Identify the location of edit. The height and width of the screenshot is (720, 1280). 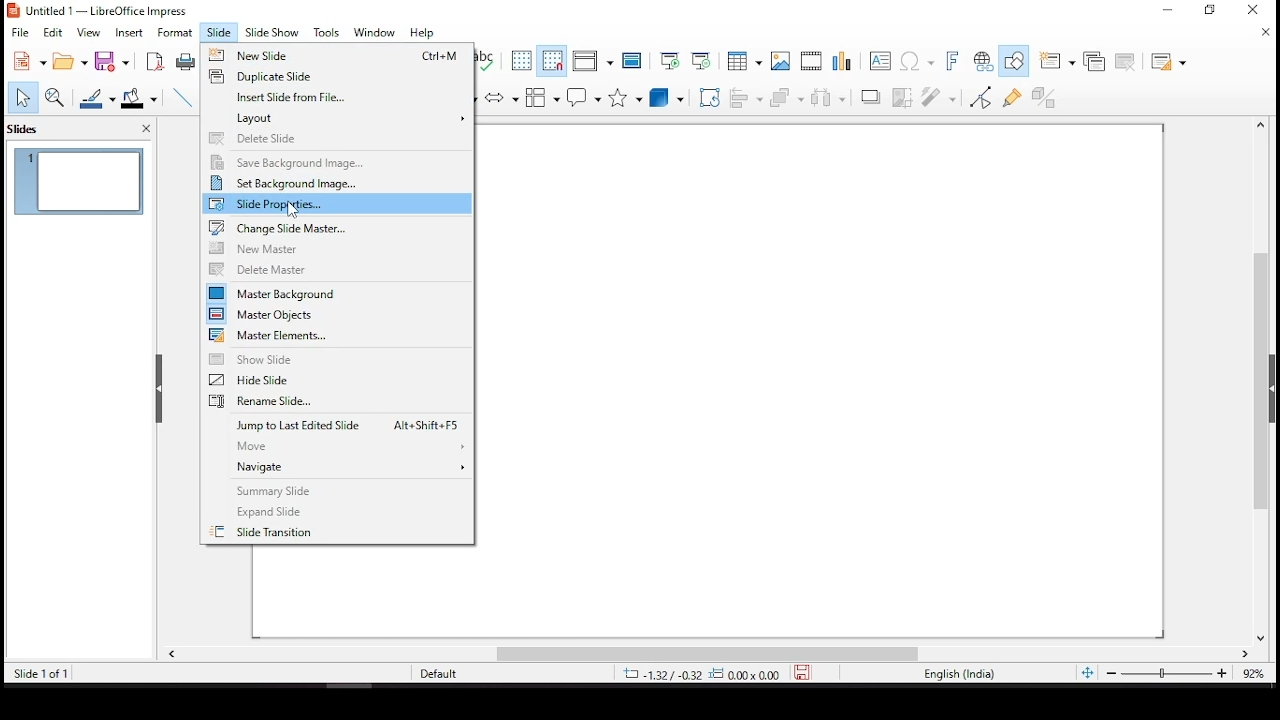
(52, 31).